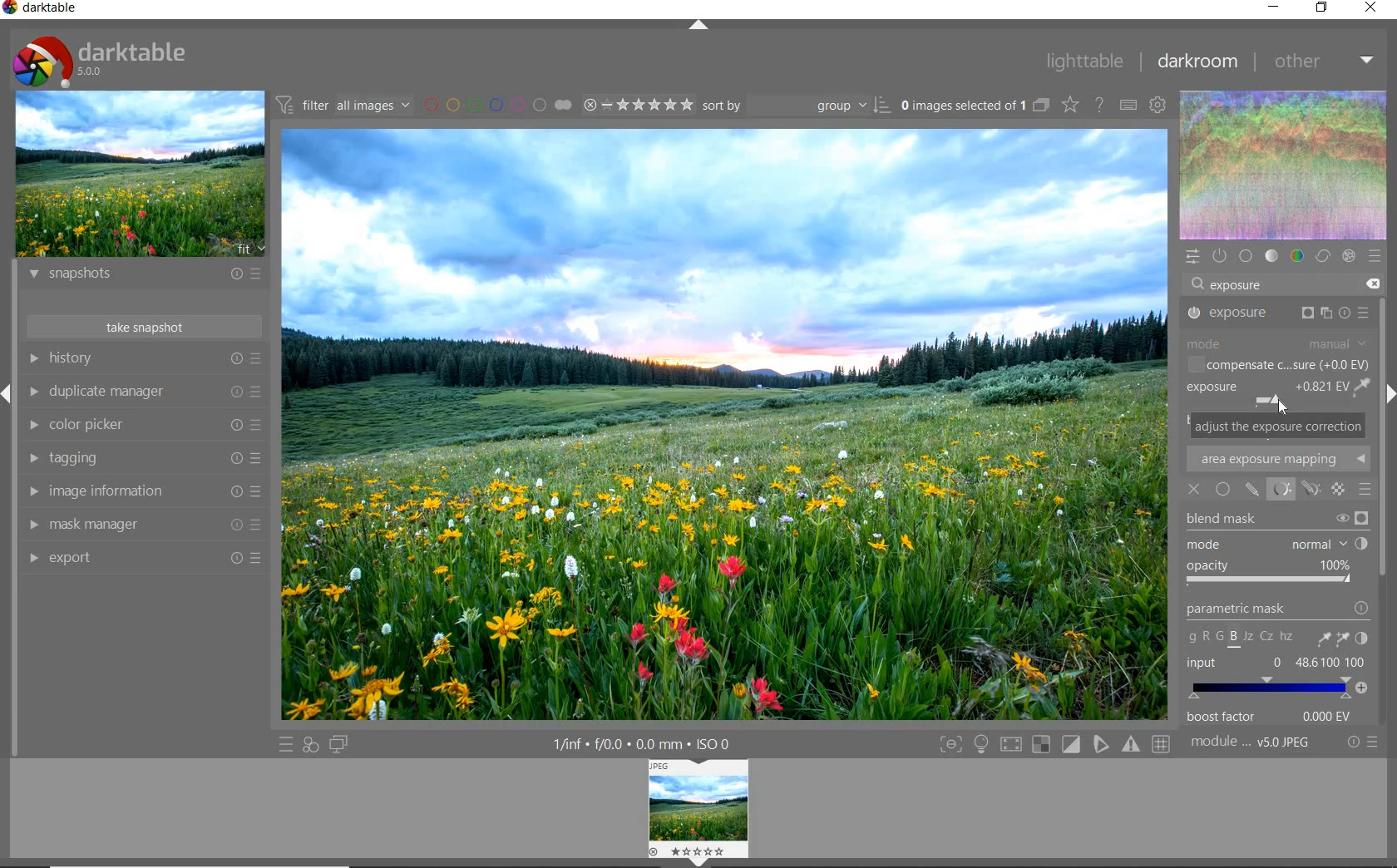 The image size is (1397, 868). Describe the element at coordinates (1285, 460) in the screenshot. I see `AREA EXPOSURE MAPPING` at that location.